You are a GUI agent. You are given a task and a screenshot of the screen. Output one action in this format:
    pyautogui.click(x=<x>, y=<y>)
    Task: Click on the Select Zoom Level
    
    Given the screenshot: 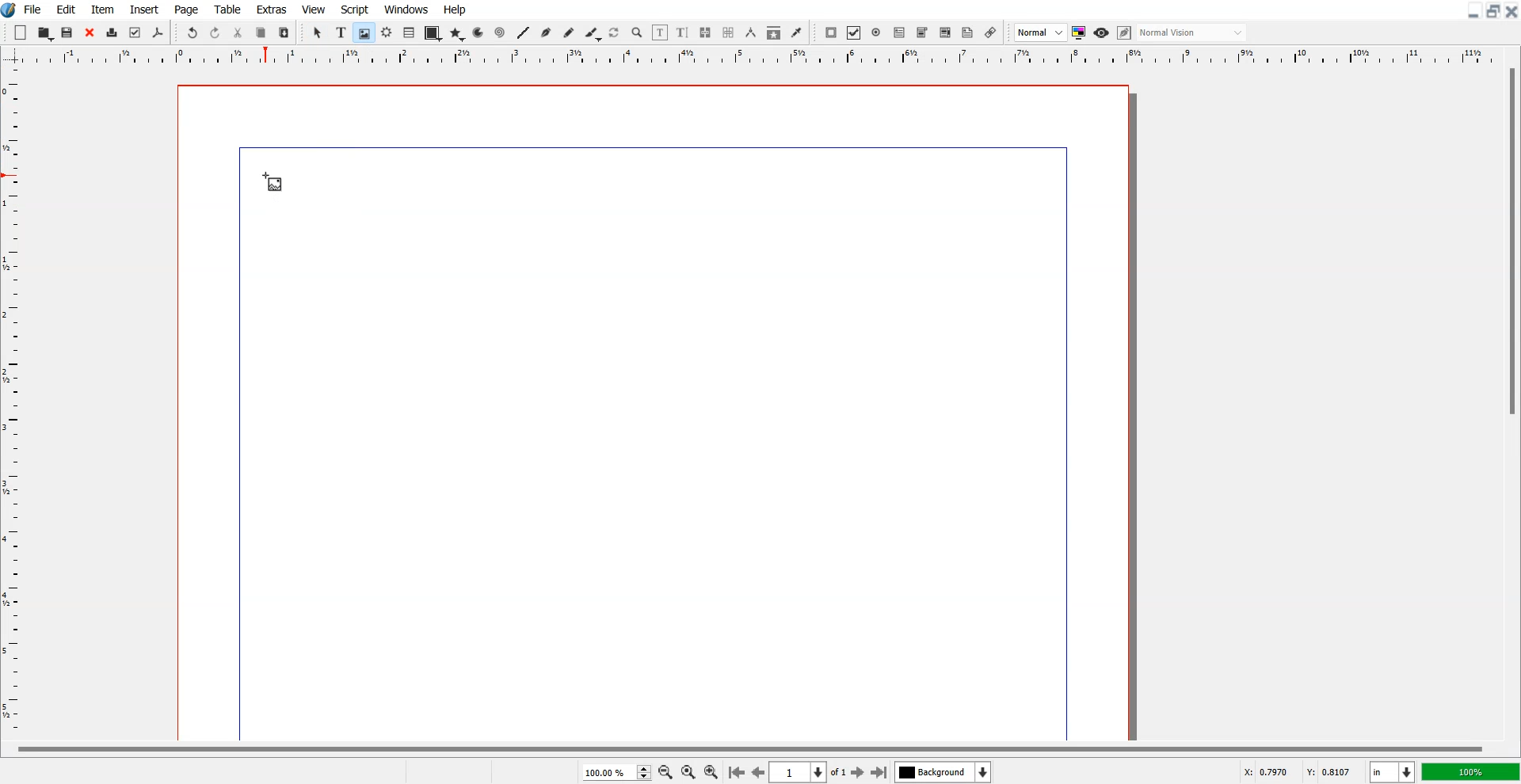 What is the action you would take?
    pyautogui.click(x=616, y=771)
    